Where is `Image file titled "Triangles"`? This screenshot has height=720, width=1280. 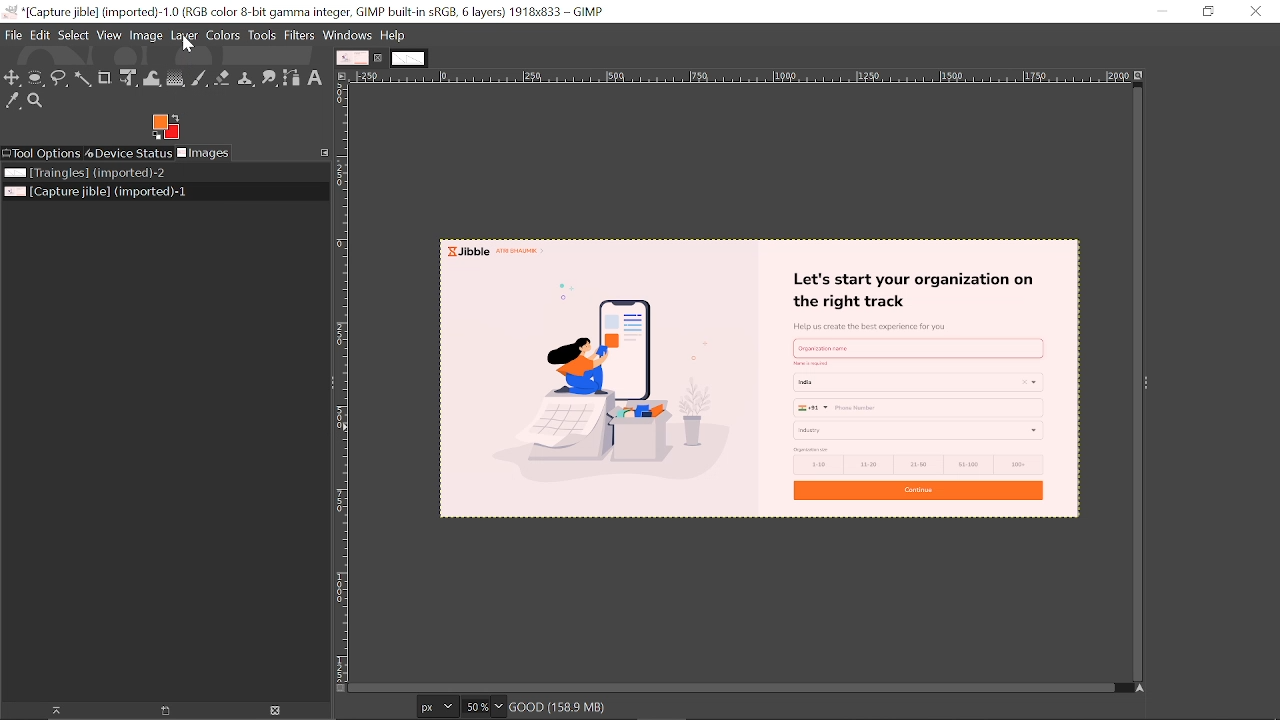 Image file titled "Triangles" is located at coordinates (108, 173).